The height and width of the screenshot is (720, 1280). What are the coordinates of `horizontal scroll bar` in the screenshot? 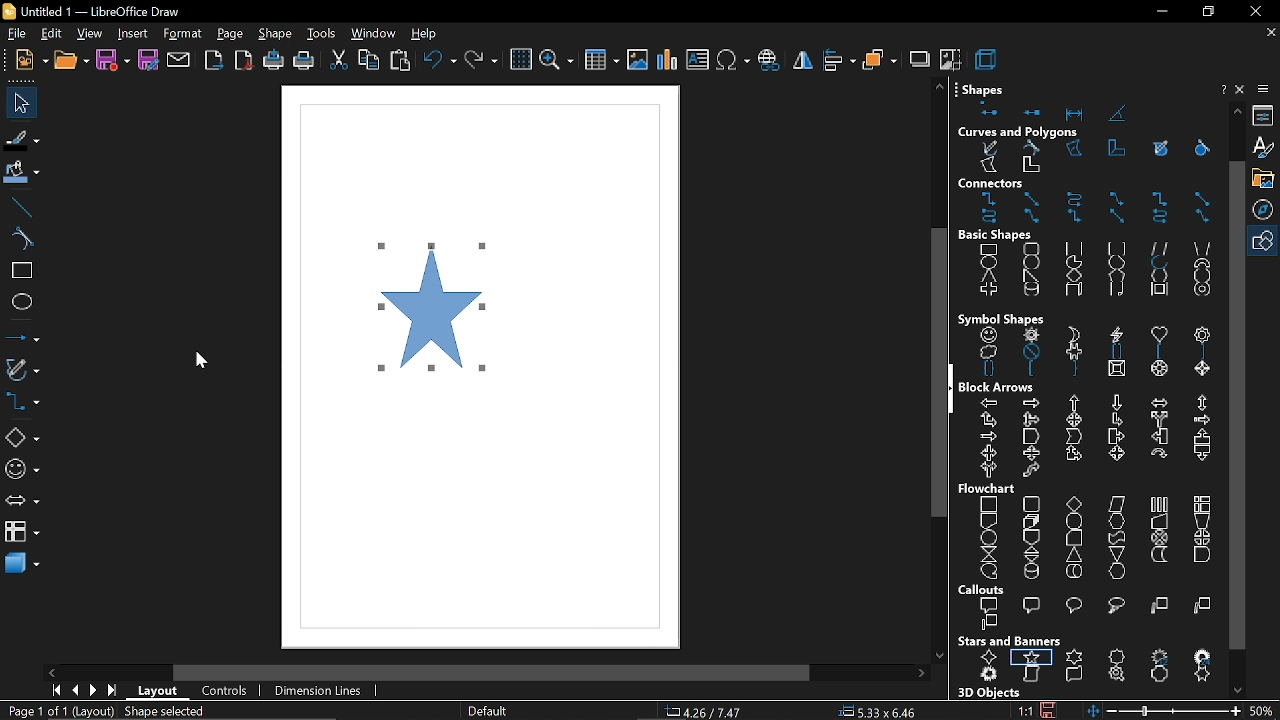 It's located at (487, 671).